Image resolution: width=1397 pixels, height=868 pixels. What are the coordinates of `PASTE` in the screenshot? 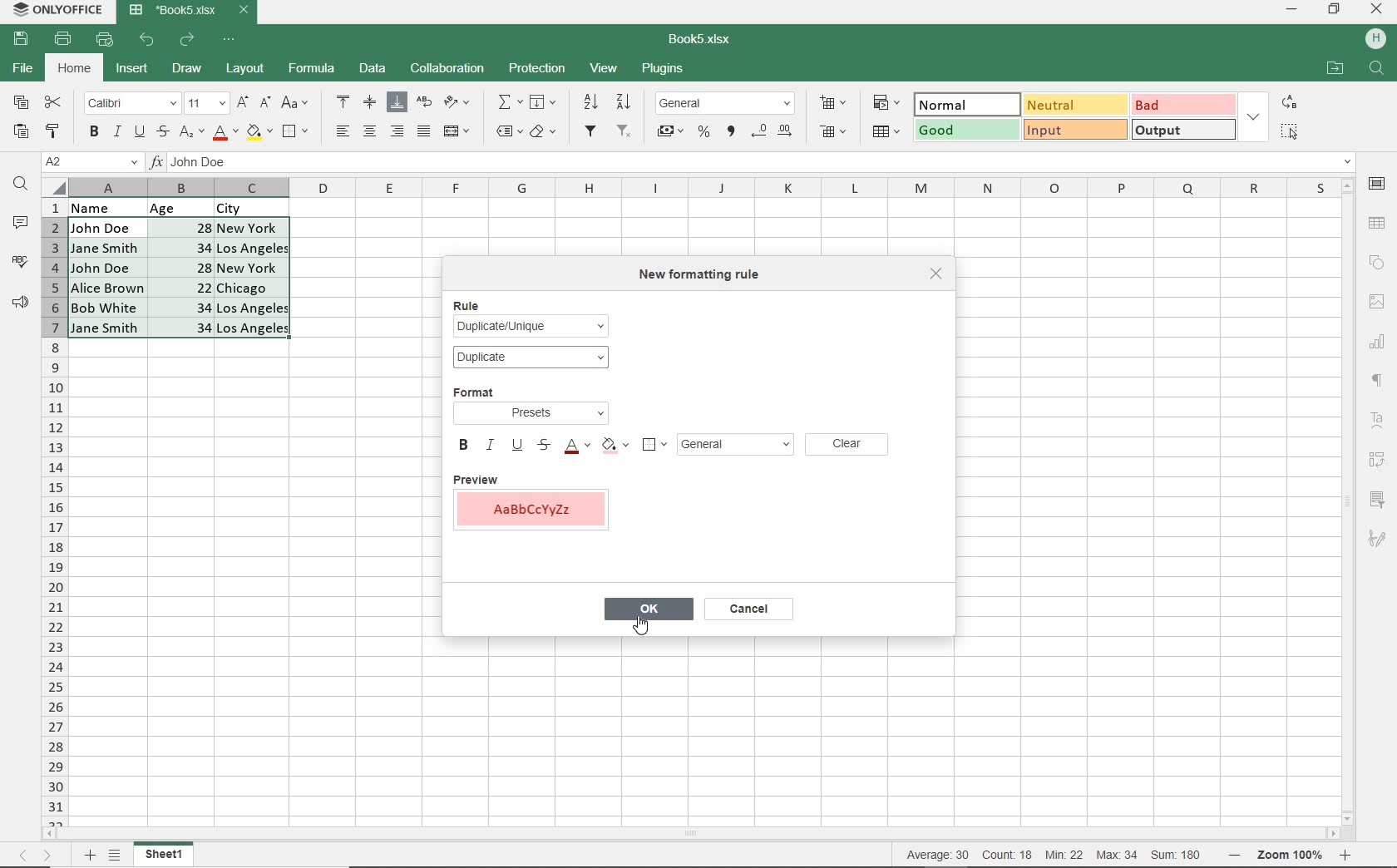 It's located at (21, 132).